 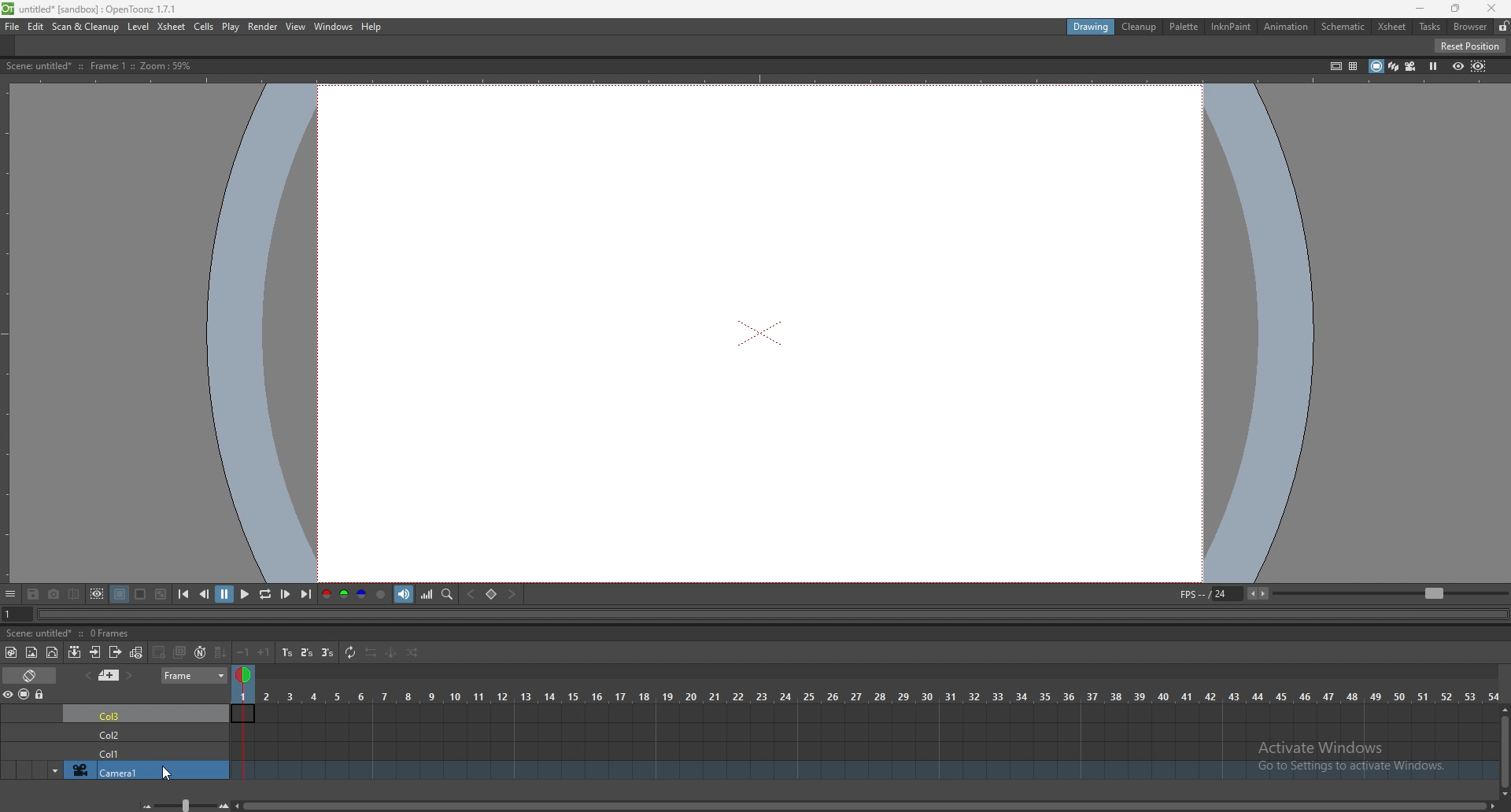 I want to click on fill in empty cells, so click(x=220, y=653).